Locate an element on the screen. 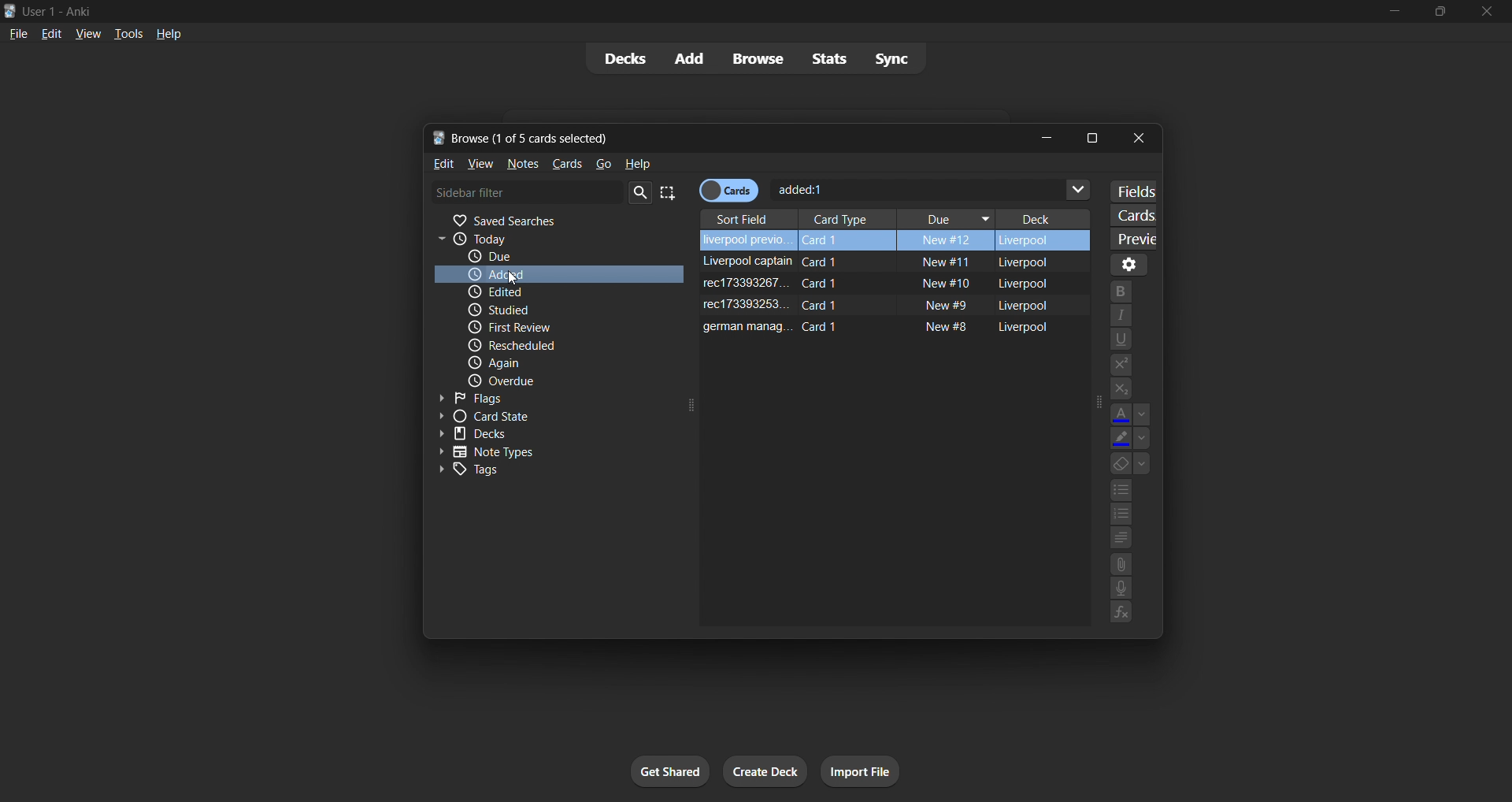 Image resolution: width=1512 pixels, height=802 pixels. due is located at coordinates (551, 257).